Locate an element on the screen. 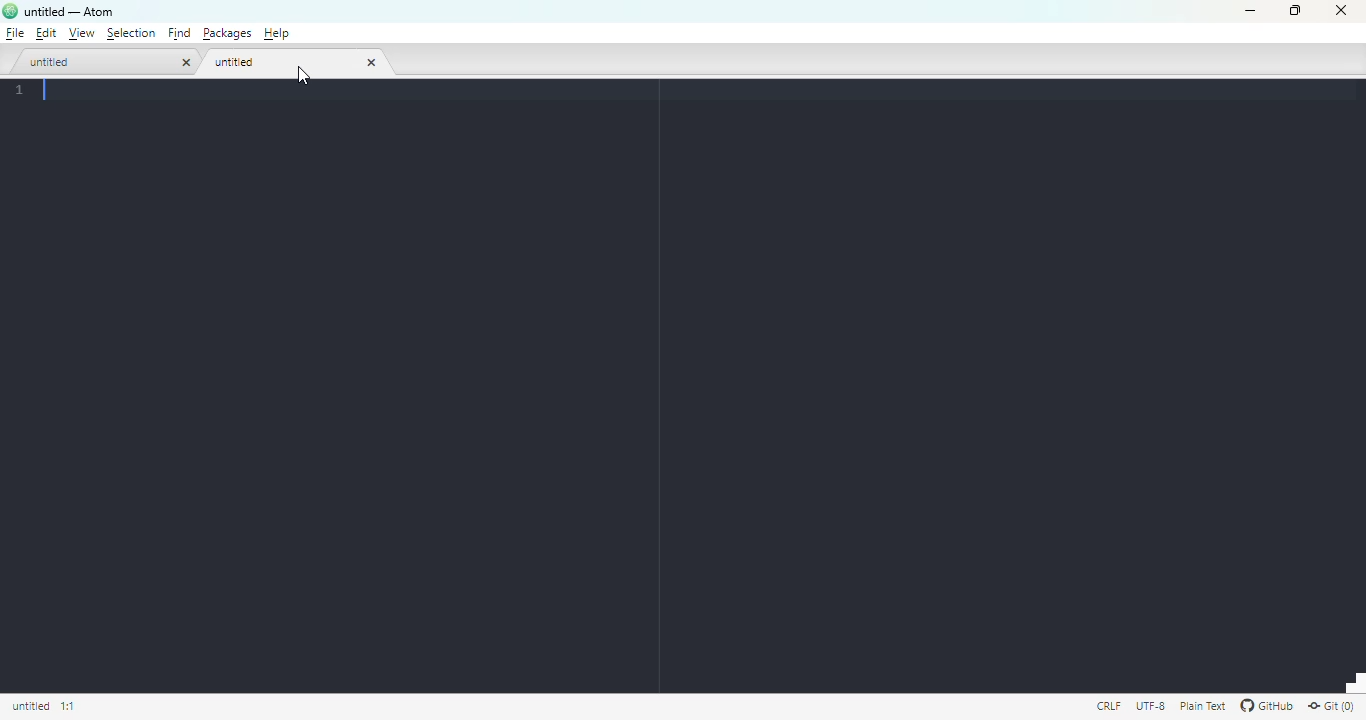 This screenshot has height=720, width=1366. editor panel is located at coordinates (684, 401).